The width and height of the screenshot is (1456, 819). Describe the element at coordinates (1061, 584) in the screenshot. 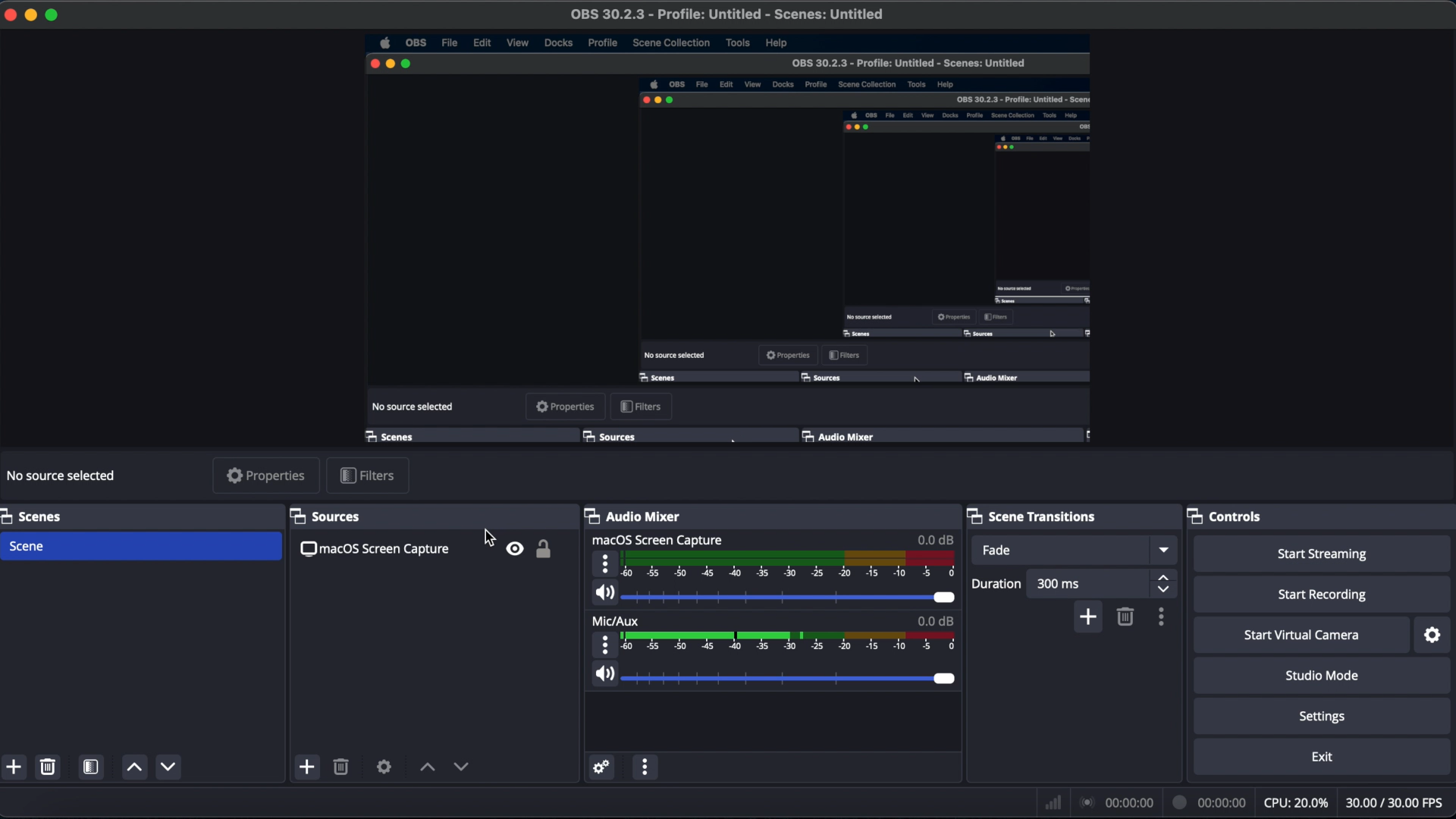

I see `duration value field` at that location.